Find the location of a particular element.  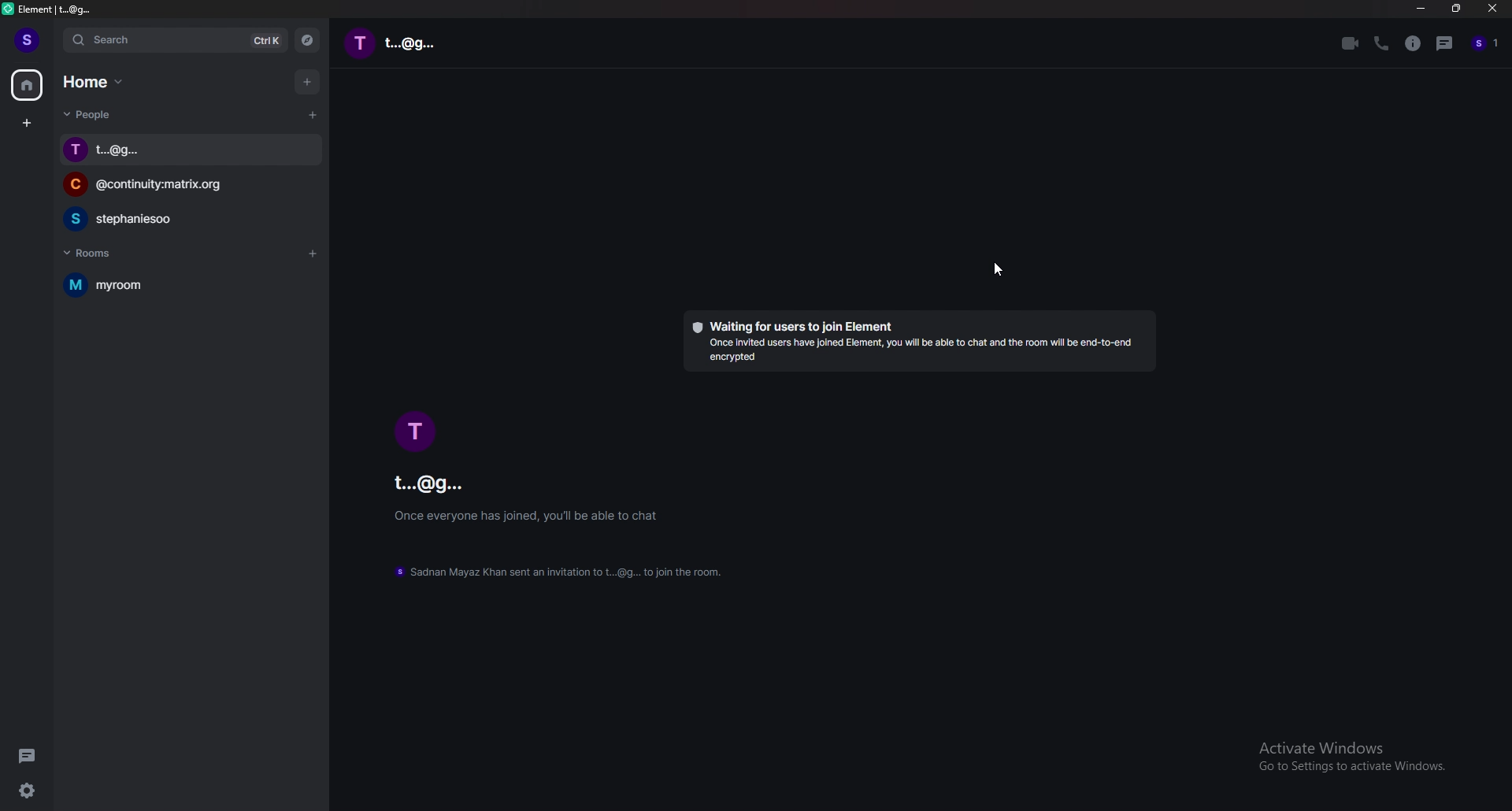

chat is located at coordinates (441, 44).